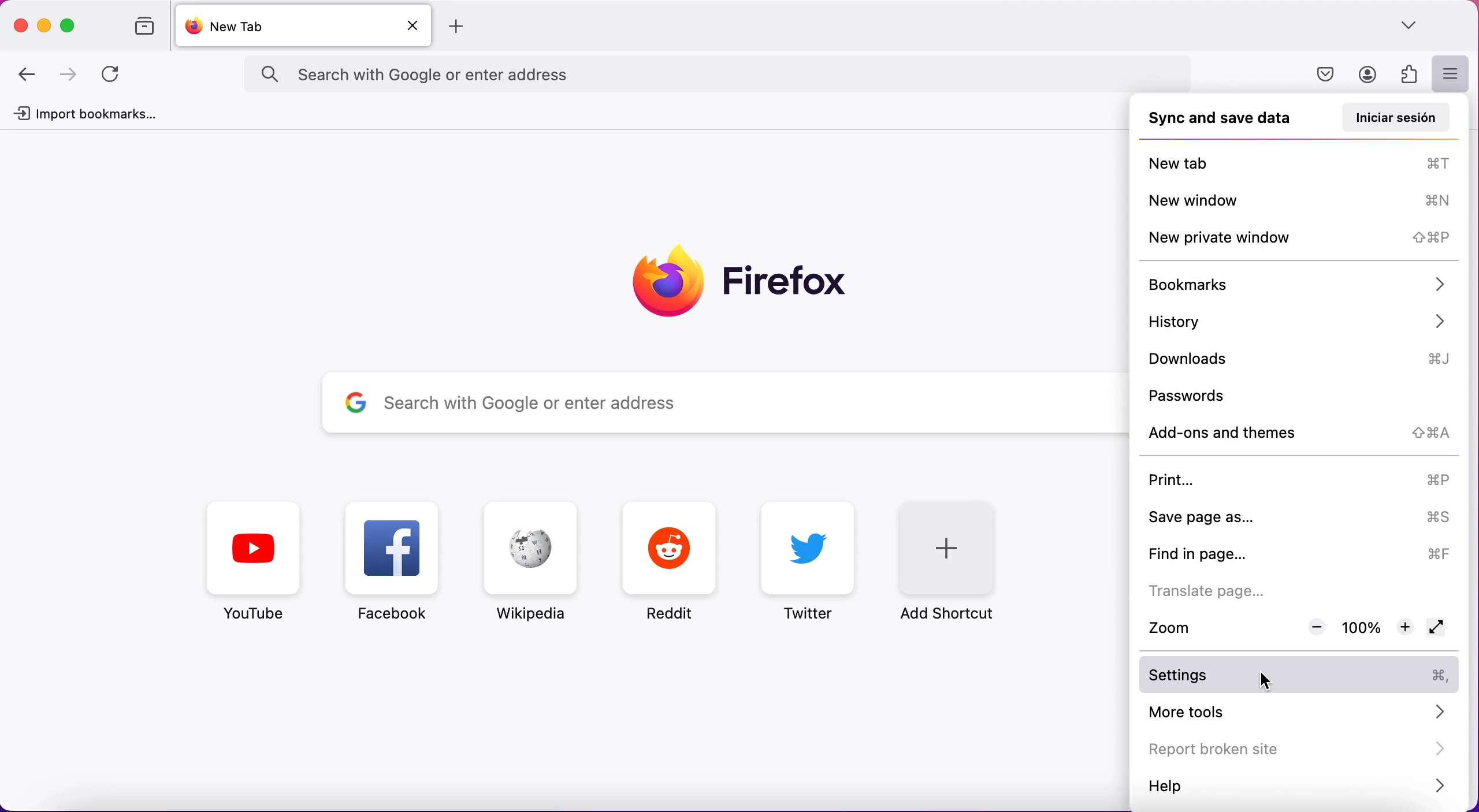  I want to click on close tab, so click(413, 27).